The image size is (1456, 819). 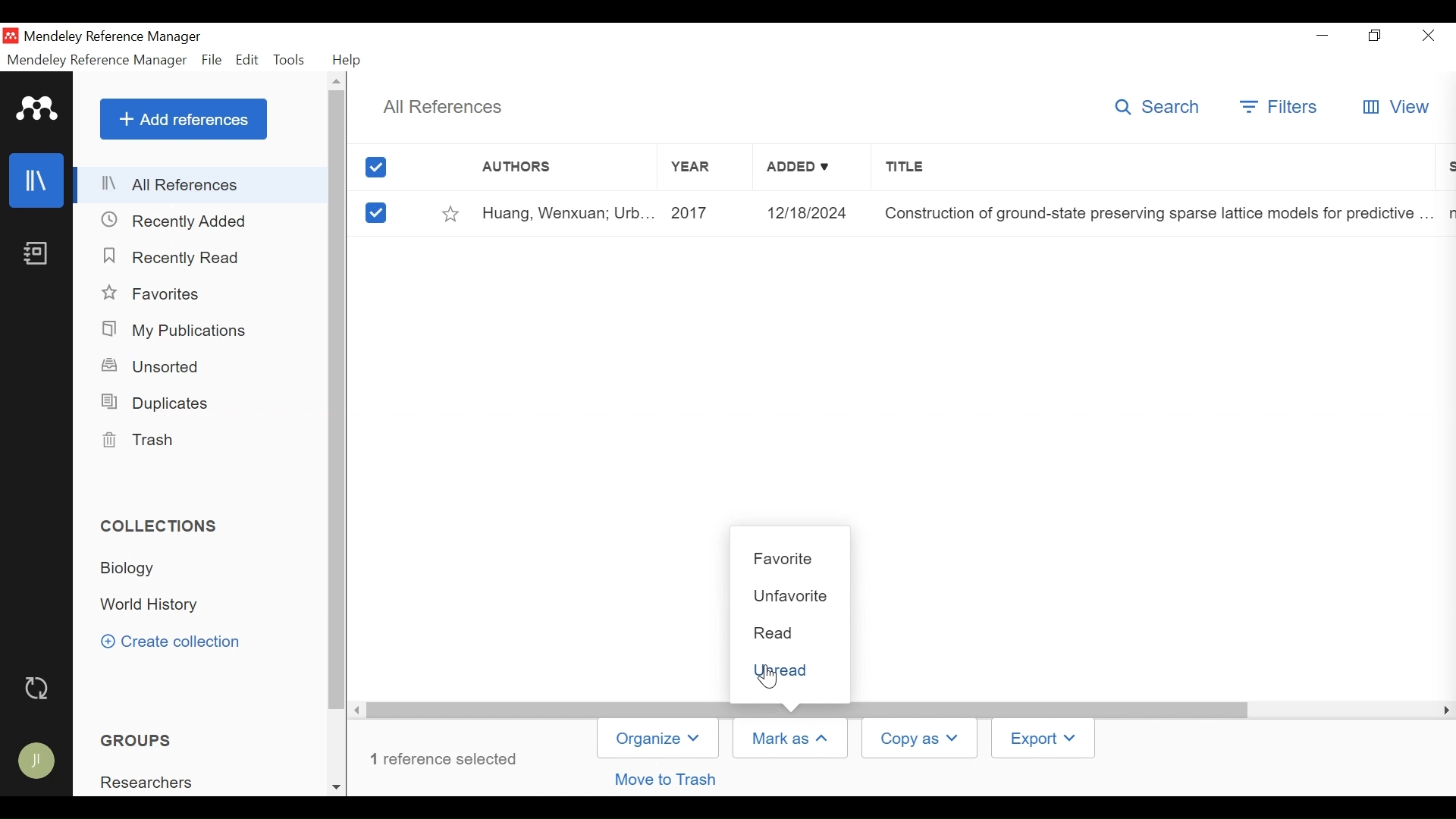 What do you see at coordinates (1156, 109) in the screenshot?
I see `Search` at bounding box center [1156, 109].